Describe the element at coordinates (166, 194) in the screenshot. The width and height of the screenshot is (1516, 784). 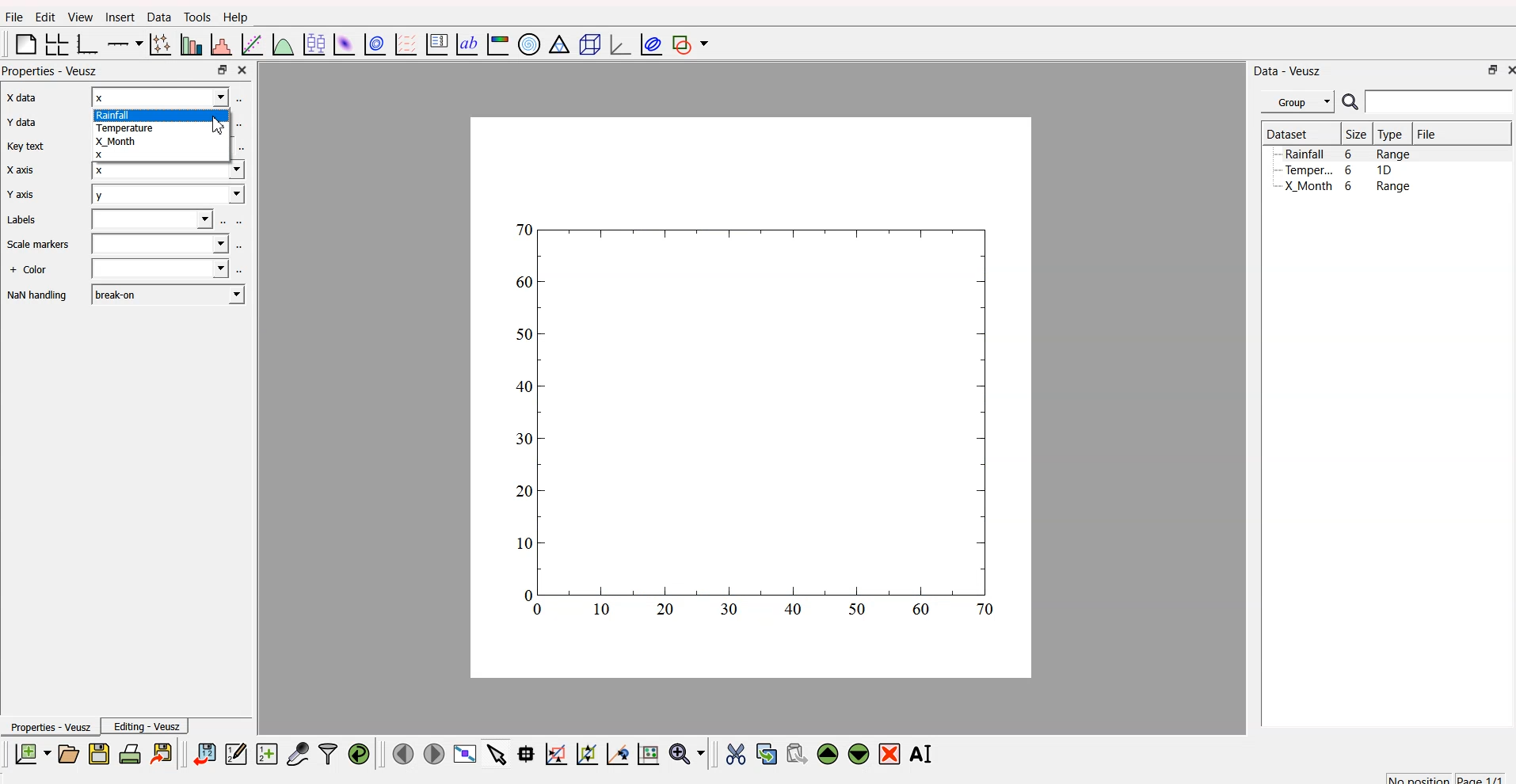
I see `y` at that location.